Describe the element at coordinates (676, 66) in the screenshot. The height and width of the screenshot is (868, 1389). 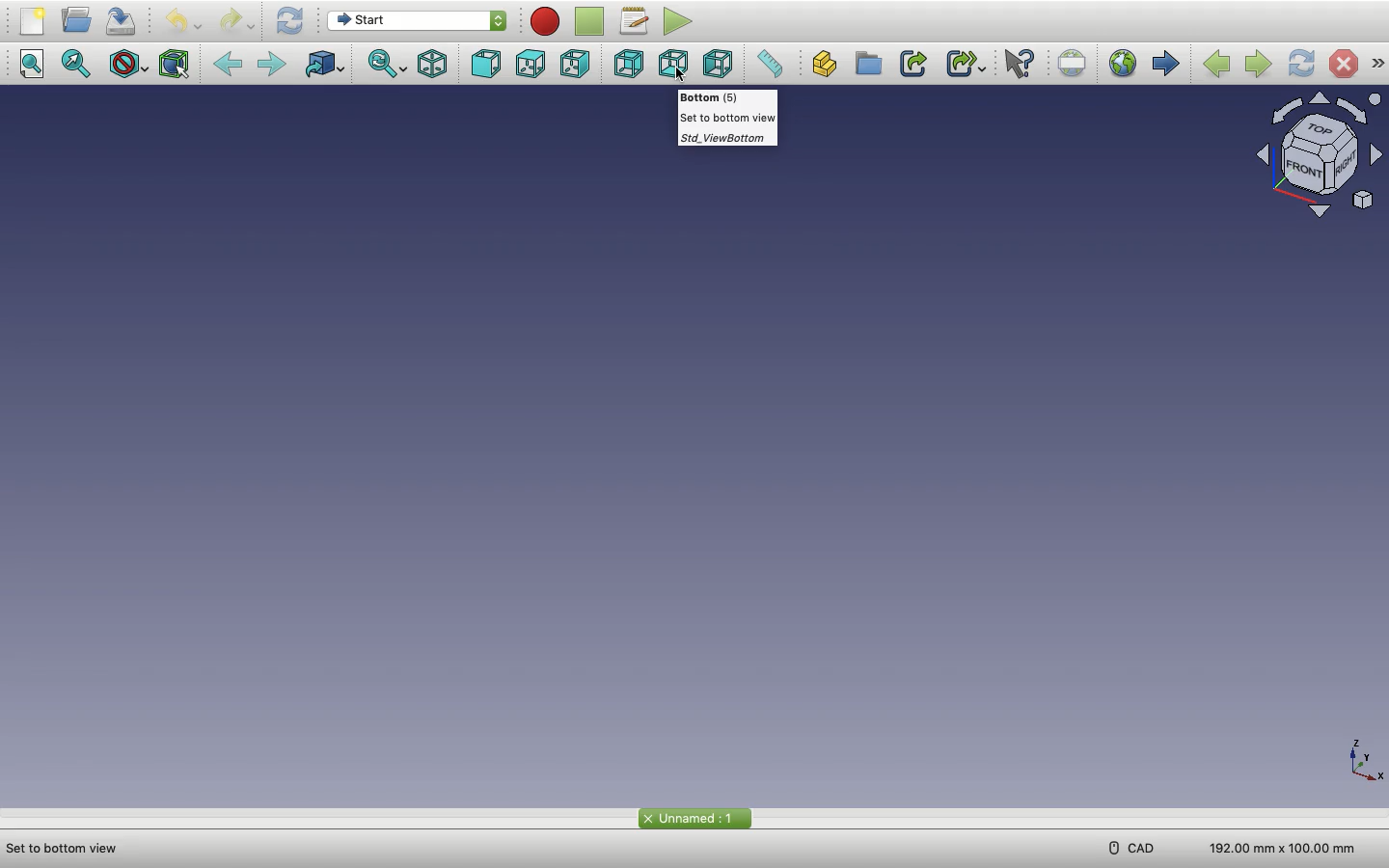
I see `Bottom` at that location.